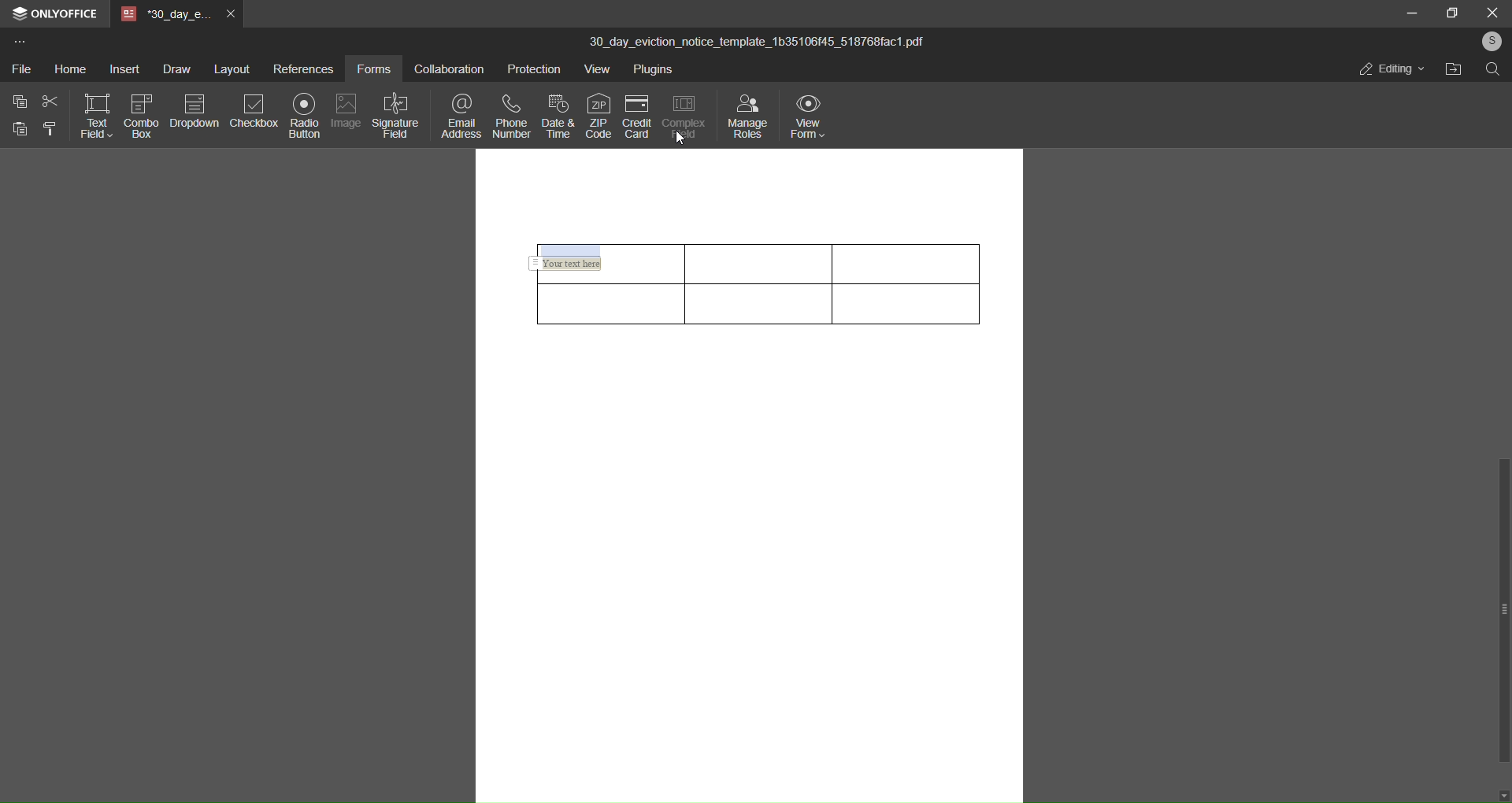 The image size is (1512, 803). What do you see at coordinates (1451, 70) in the screenshot?
I see `open file location` at bounding box center [1451, 70].